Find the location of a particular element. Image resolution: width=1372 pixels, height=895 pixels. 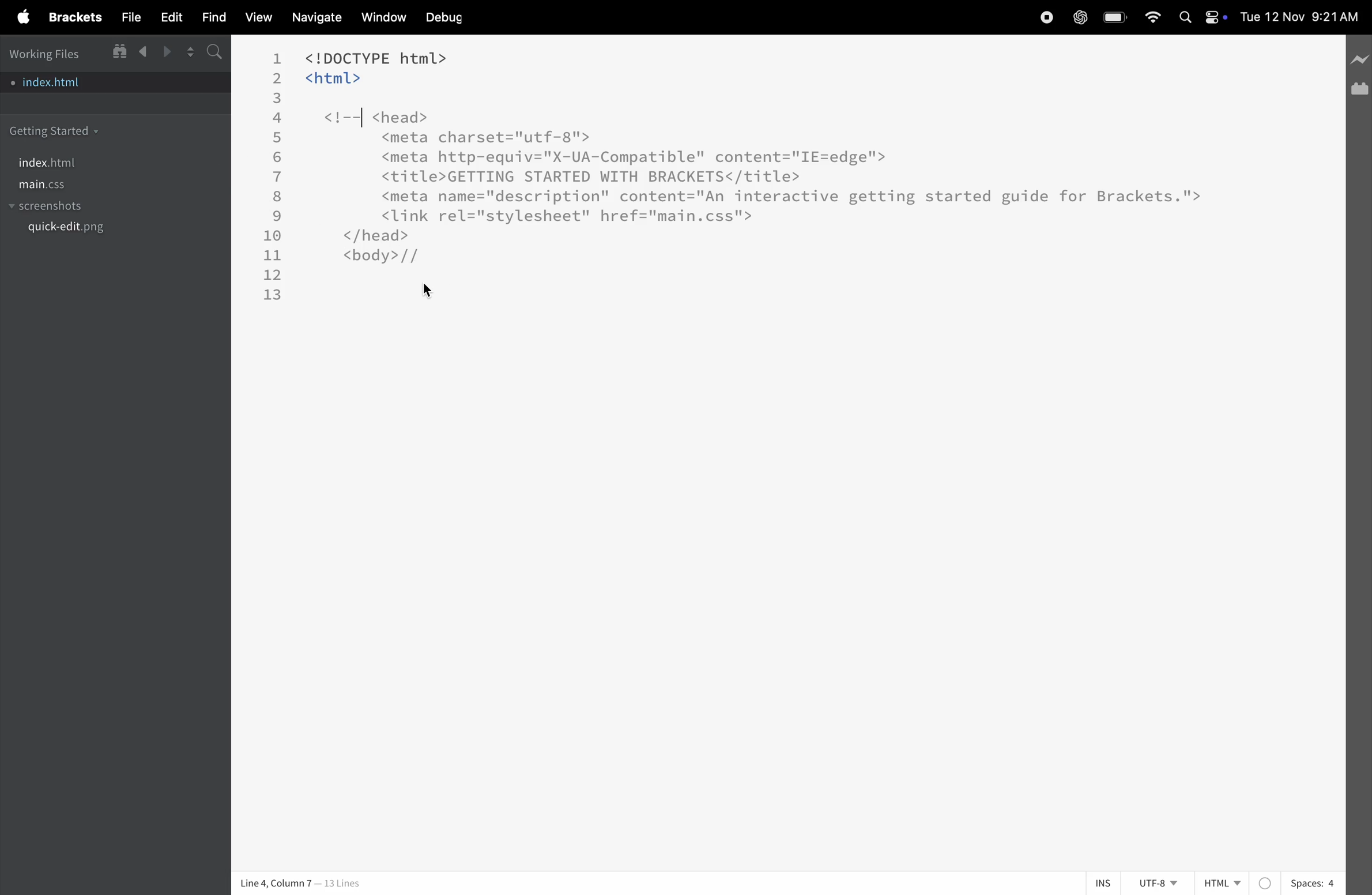

working files is located at coordinates (51, 52).